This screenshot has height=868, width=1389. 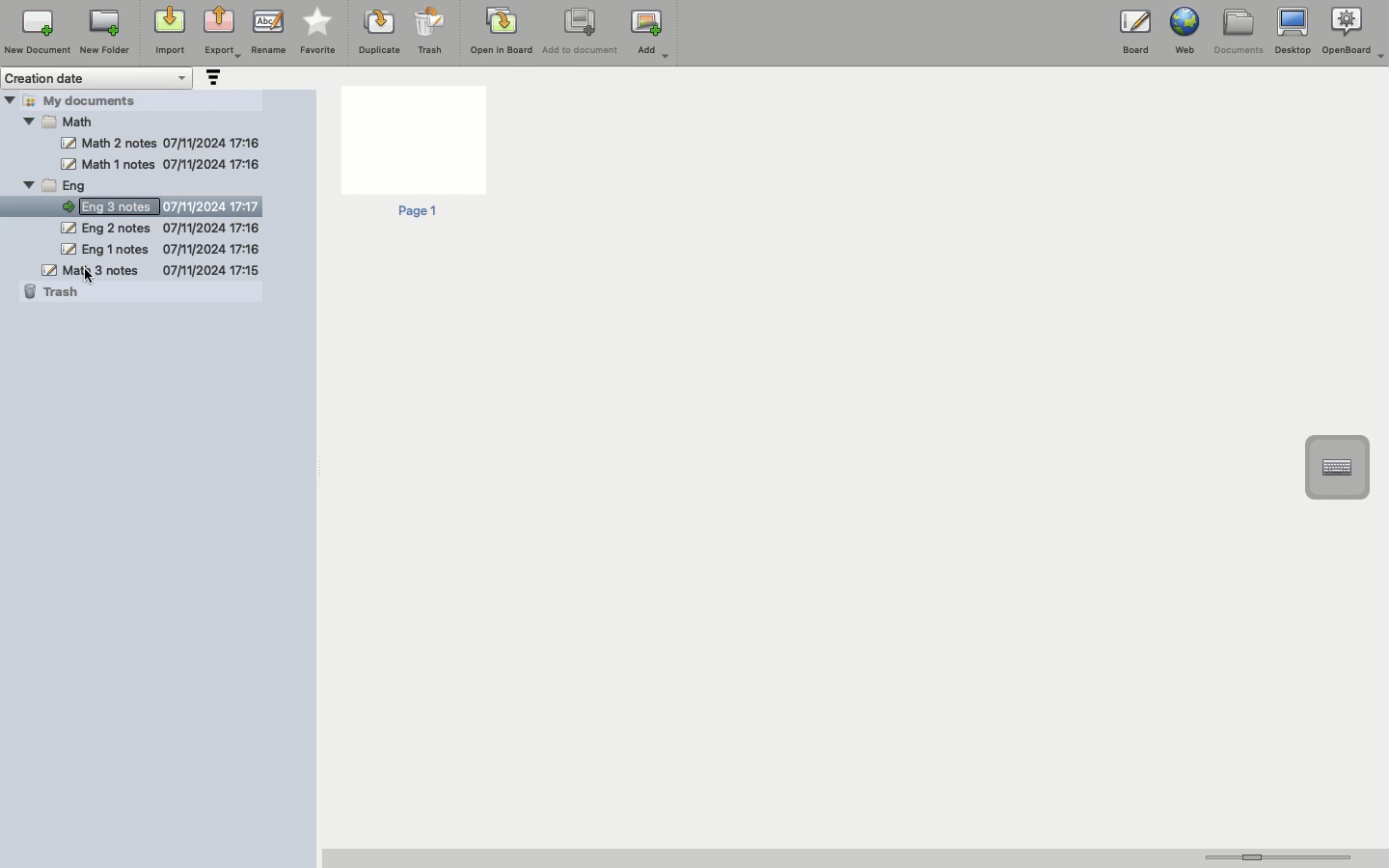 I want to click on New folder, so click(x=103, y=33).